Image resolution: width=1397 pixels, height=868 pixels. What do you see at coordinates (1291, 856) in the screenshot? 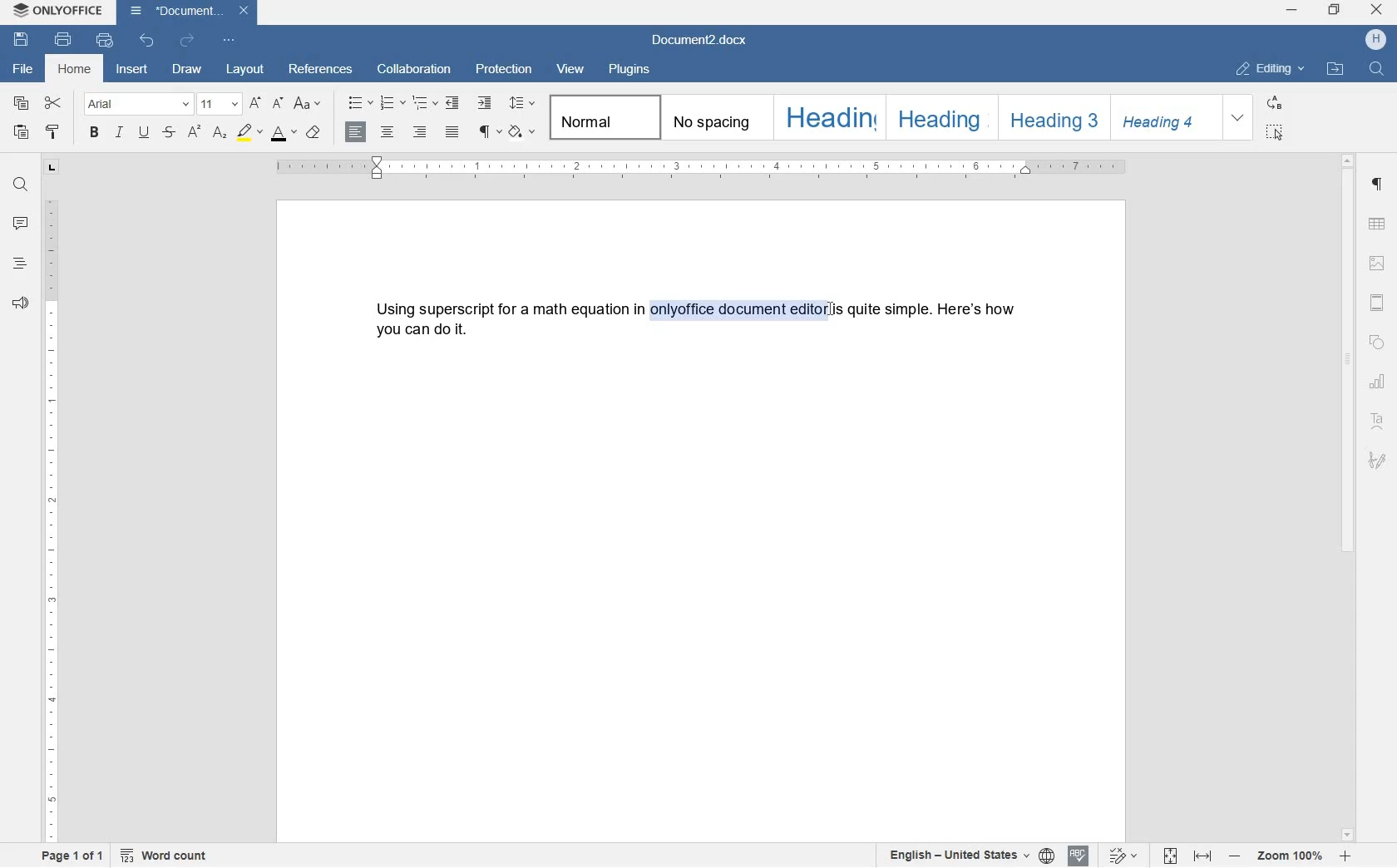
I see `zoom in or zoom out` at bounding box center [1291, 856].